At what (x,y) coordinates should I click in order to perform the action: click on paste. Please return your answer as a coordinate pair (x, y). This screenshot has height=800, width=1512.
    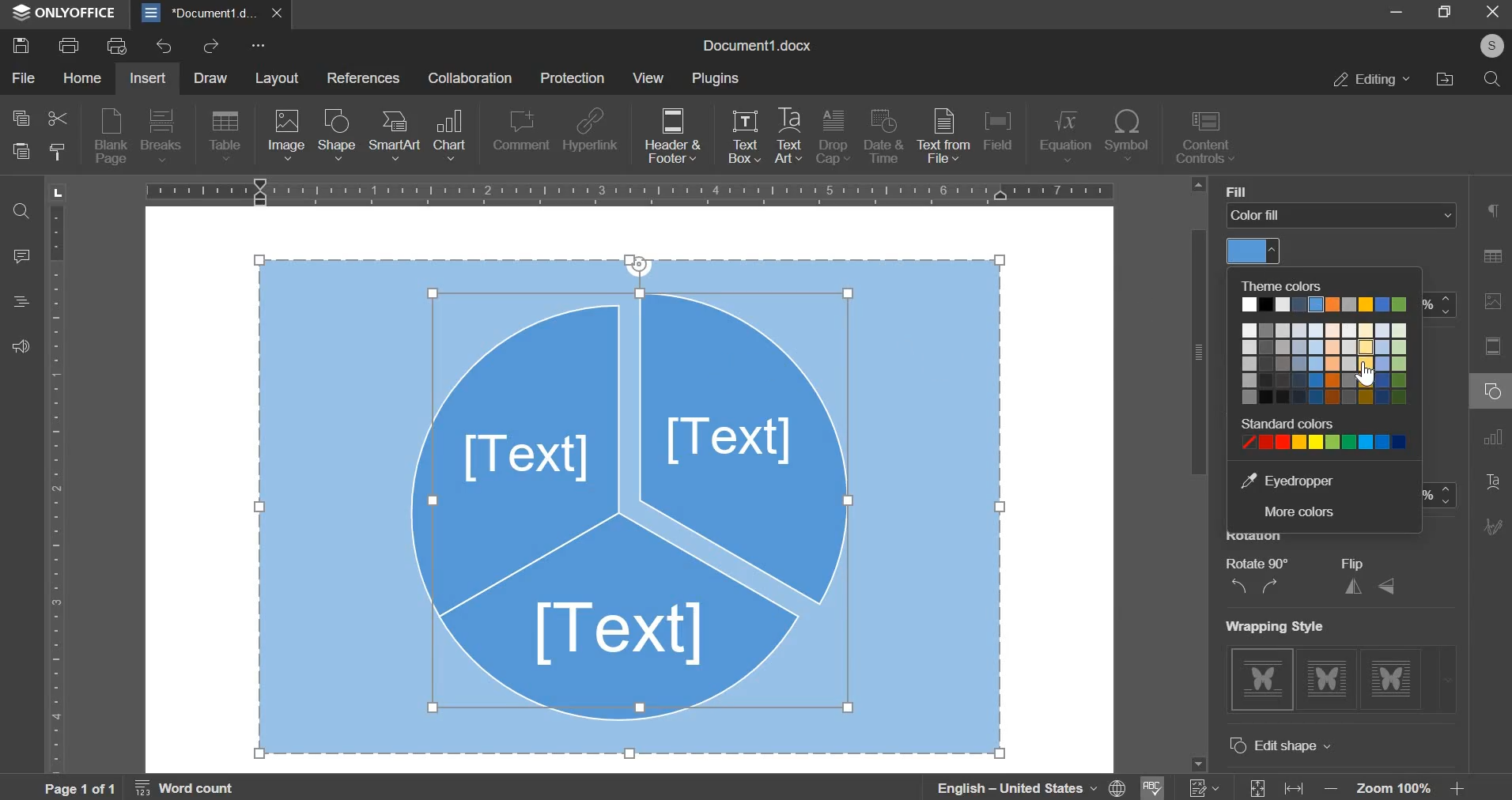
    Looking at the image, I should click on (21, 155).